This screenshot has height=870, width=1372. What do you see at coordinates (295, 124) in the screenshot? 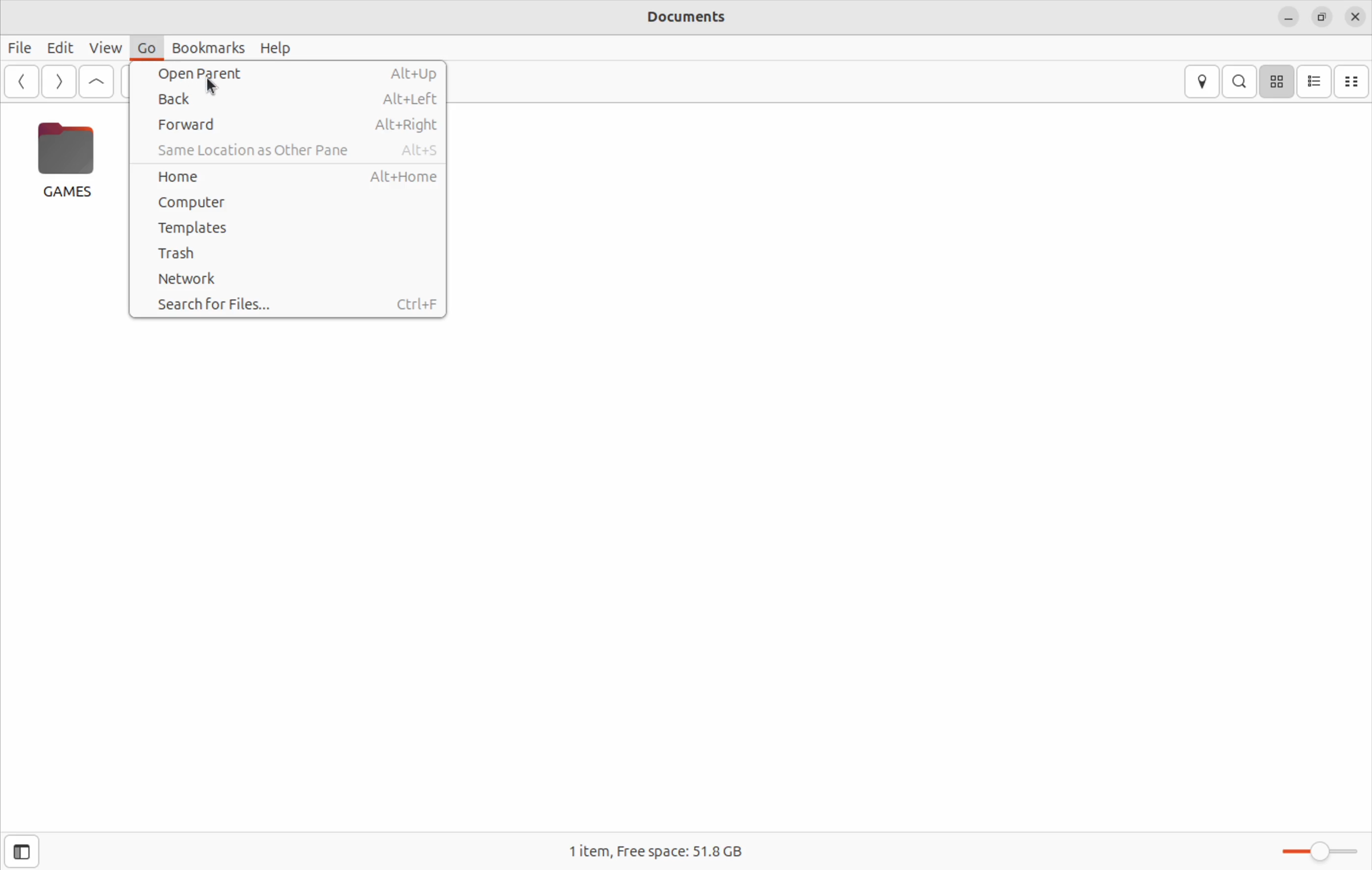
I see `forward` at bounding box center [295, 124].